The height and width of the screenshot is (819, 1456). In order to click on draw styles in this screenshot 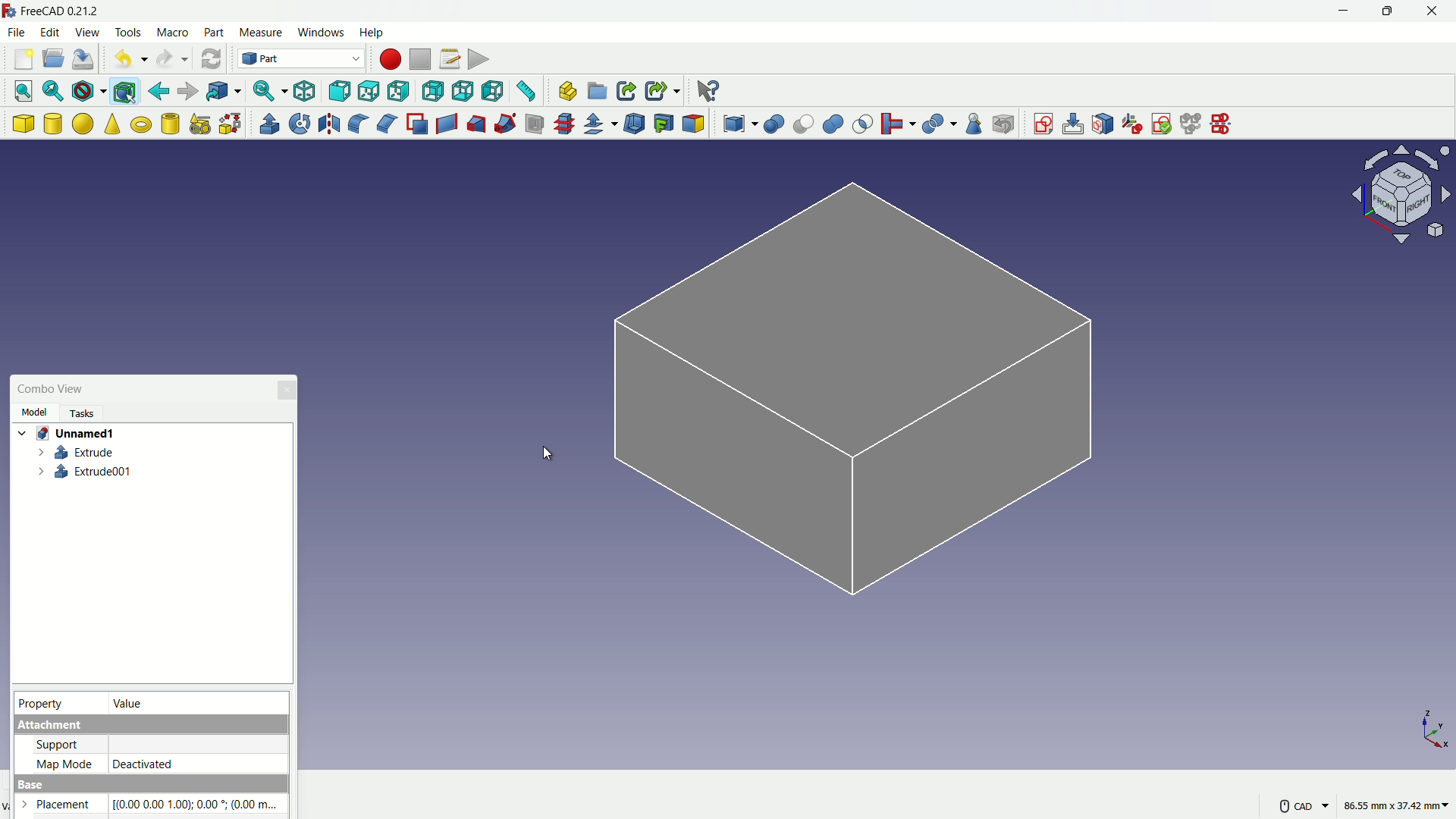, I will do `click(90, 92)`.